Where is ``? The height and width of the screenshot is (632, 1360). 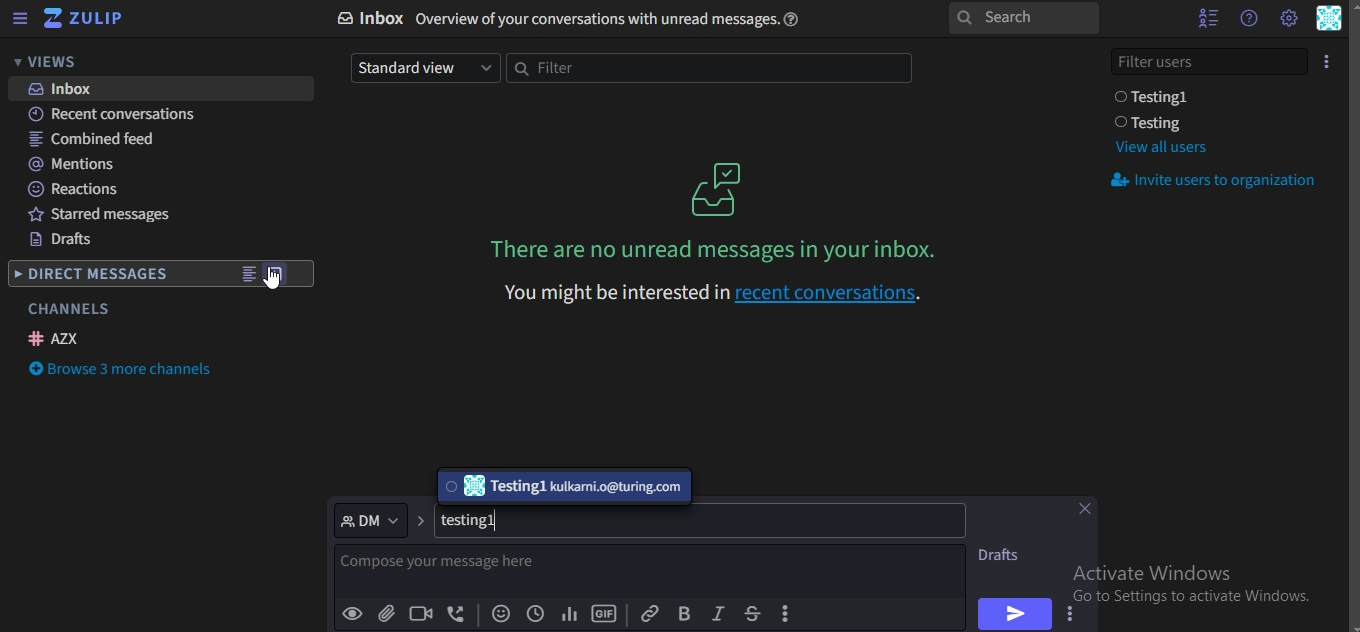  is located at coordinates (1074, 613).